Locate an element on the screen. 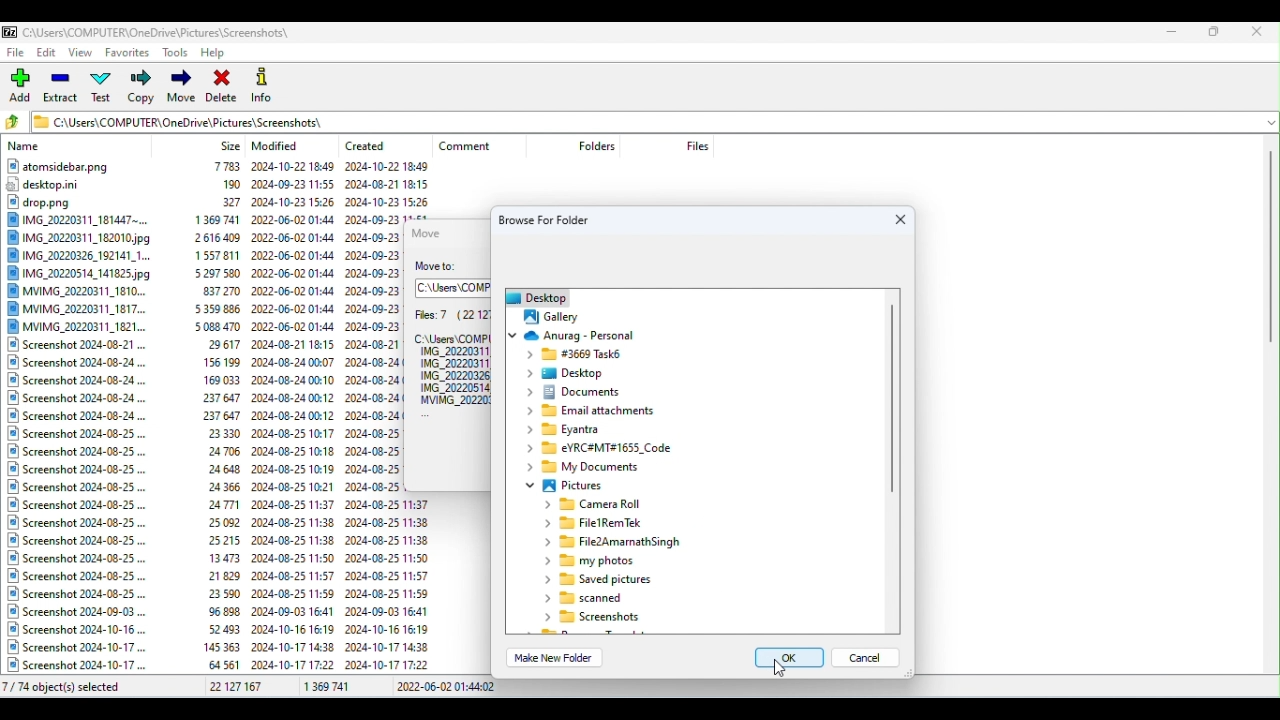  Folders is located at coordinates (599, 146).